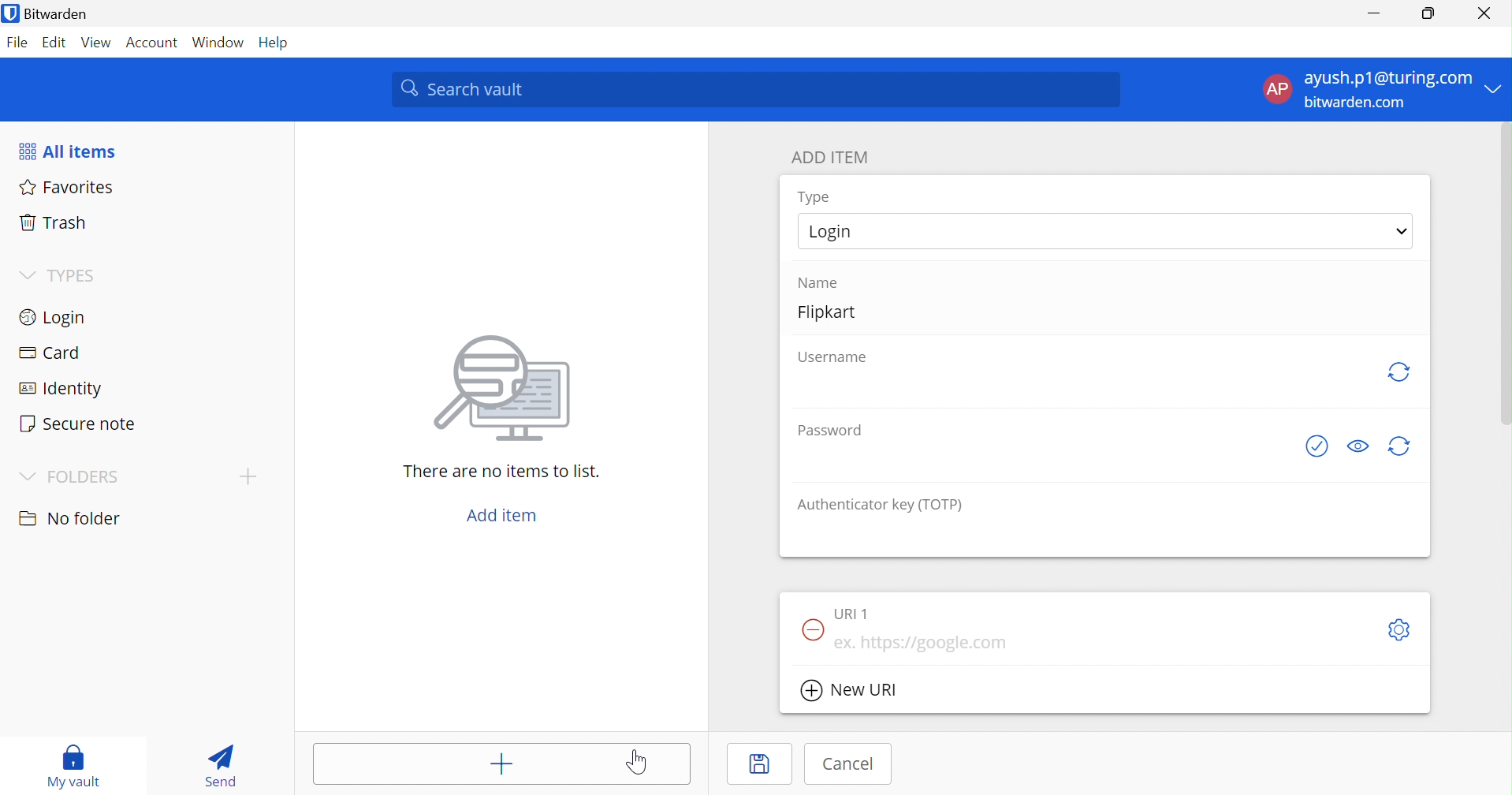  Describe the element at coordinates (833, 356) in the screenshot. I see `Username` at that location.